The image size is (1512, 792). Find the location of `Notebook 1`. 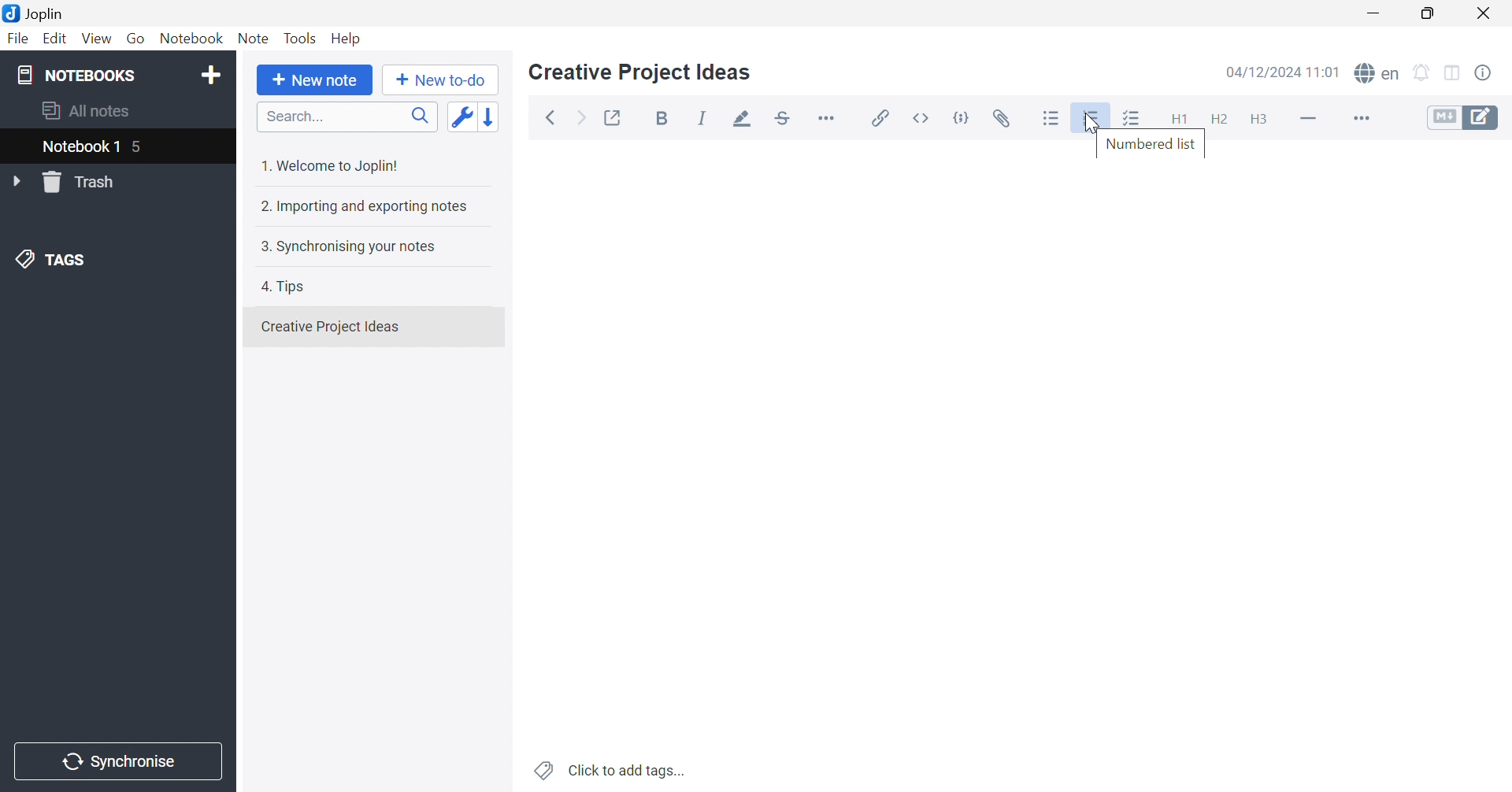

Notebook 1 is located at coordinates (79, 148).